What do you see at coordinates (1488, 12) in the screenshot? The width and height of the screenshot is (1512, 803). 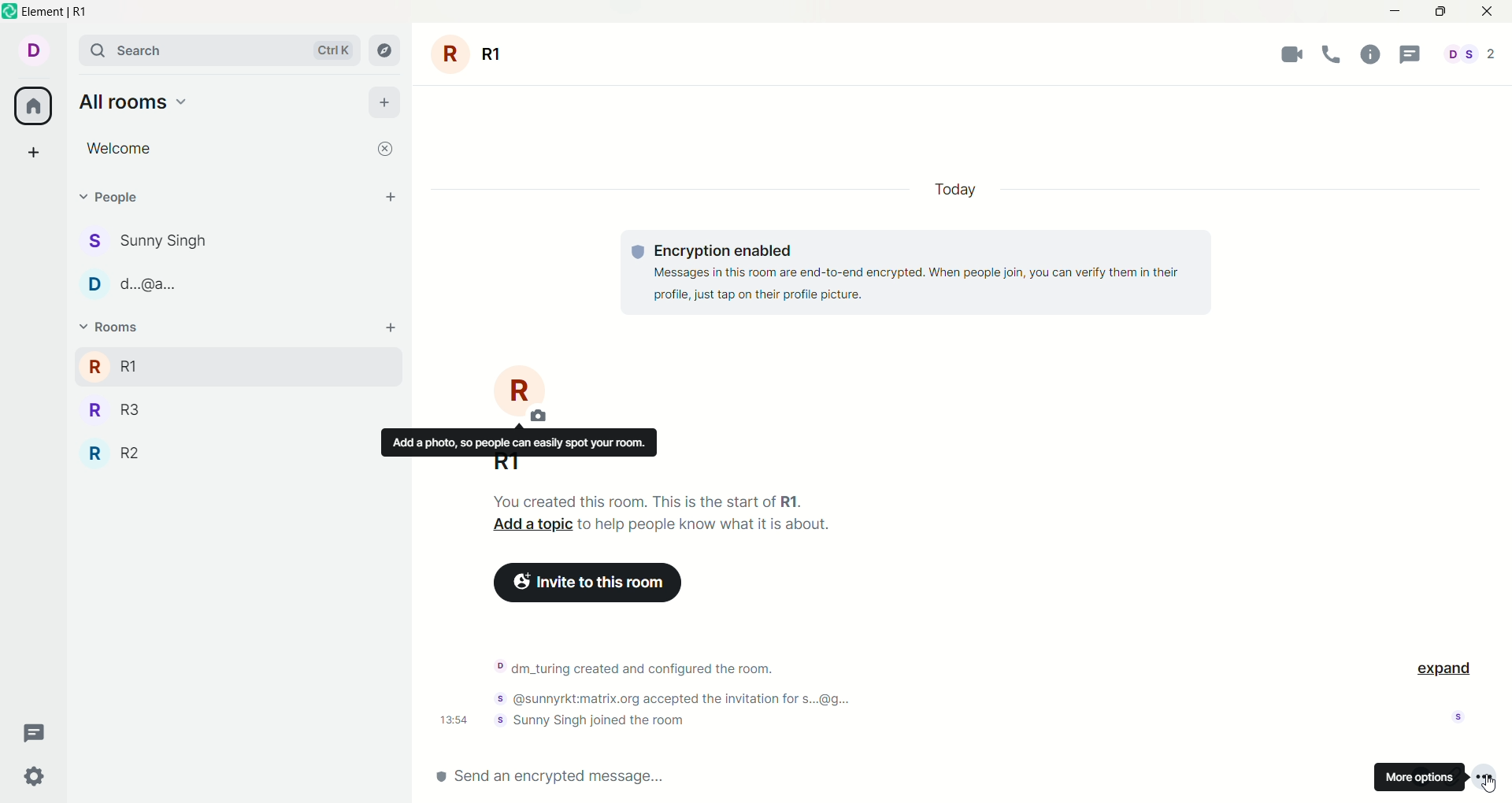 I see `close` at bounding box center [1488, 12].